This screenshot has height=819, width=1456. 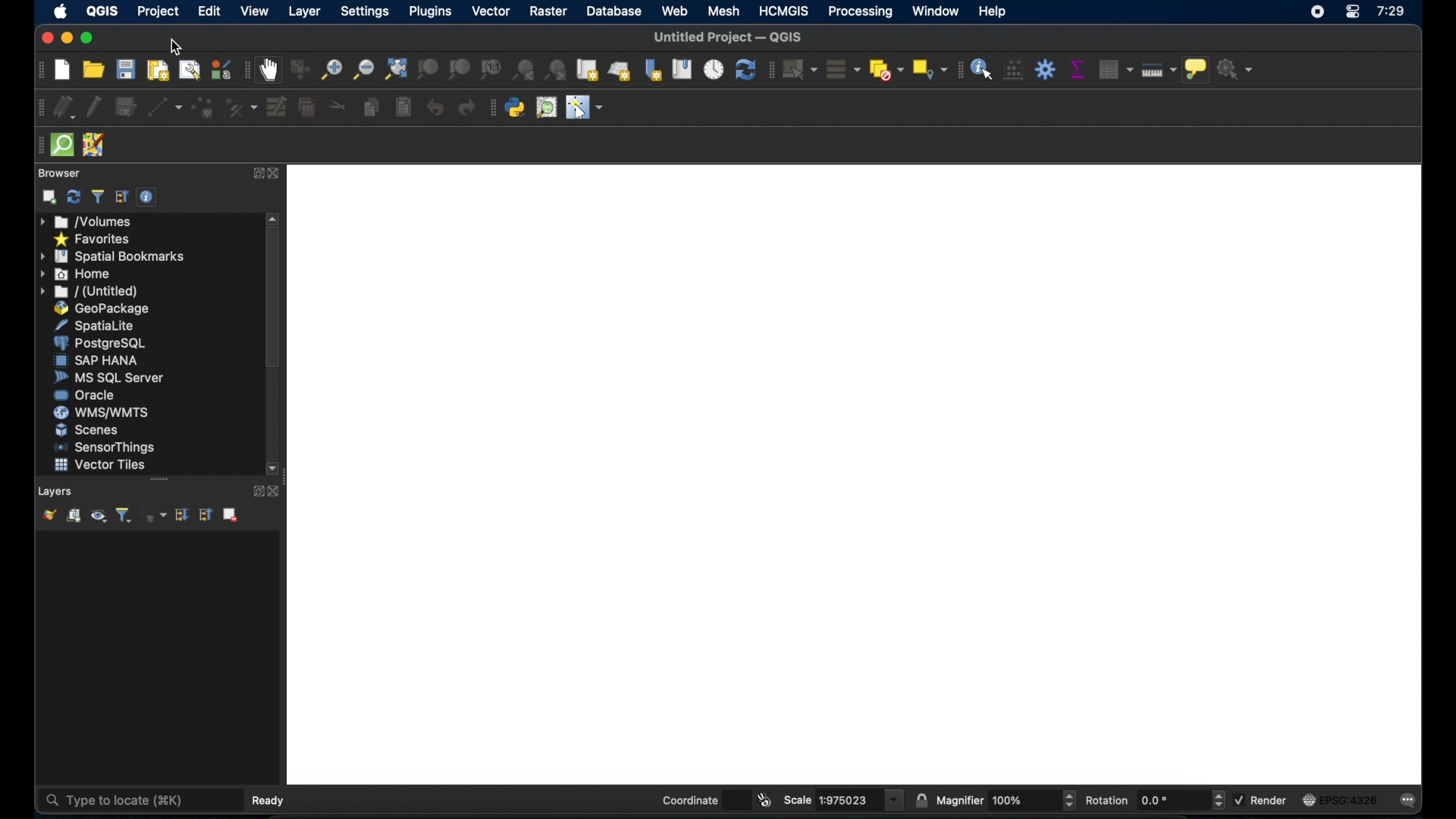 I want to click on show spatial bookmarks, so click(x=682, y=70).